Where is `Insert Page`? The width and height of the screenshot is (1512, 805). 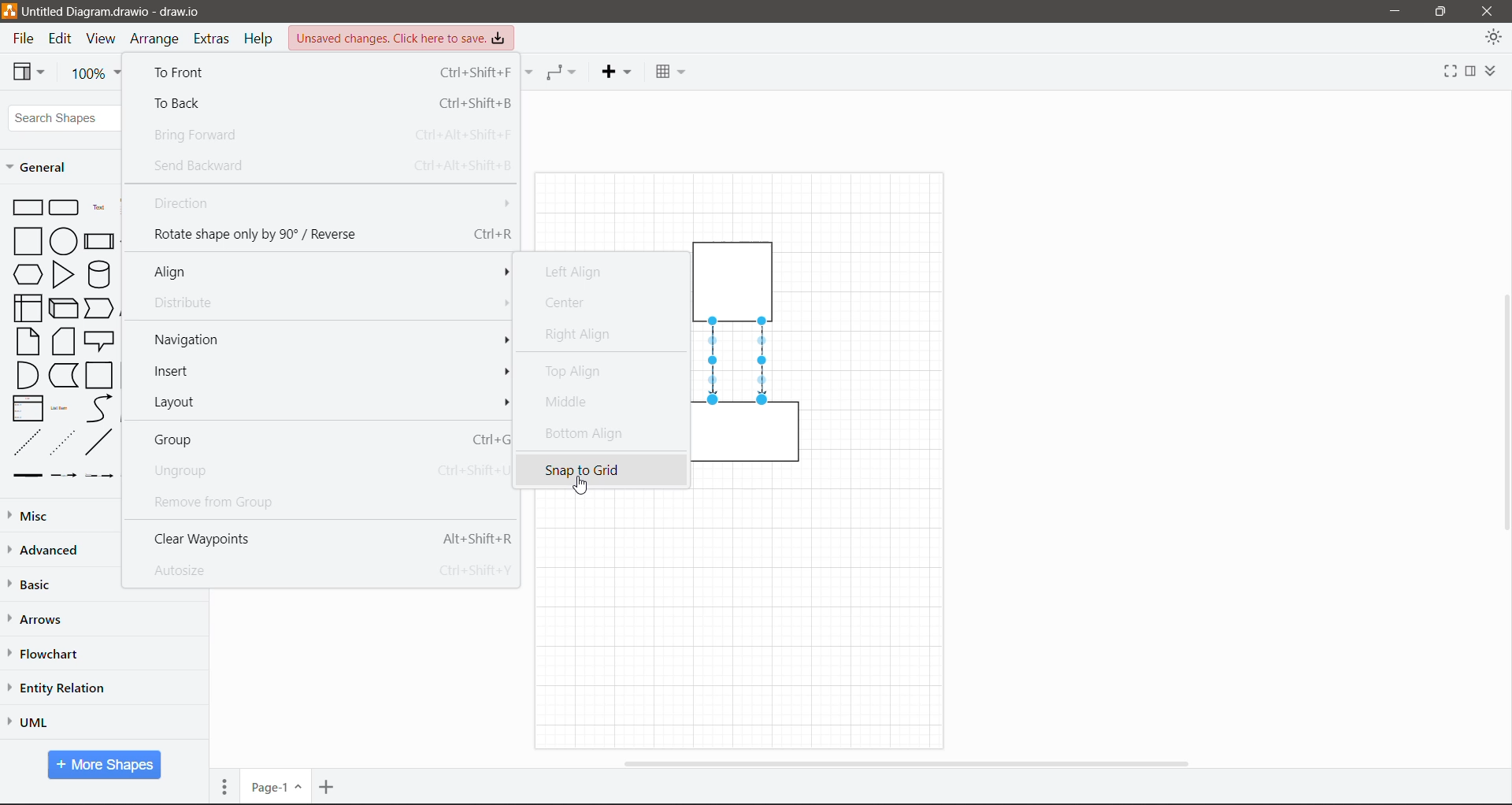 Insert Page is located at coordinates (328, 787).